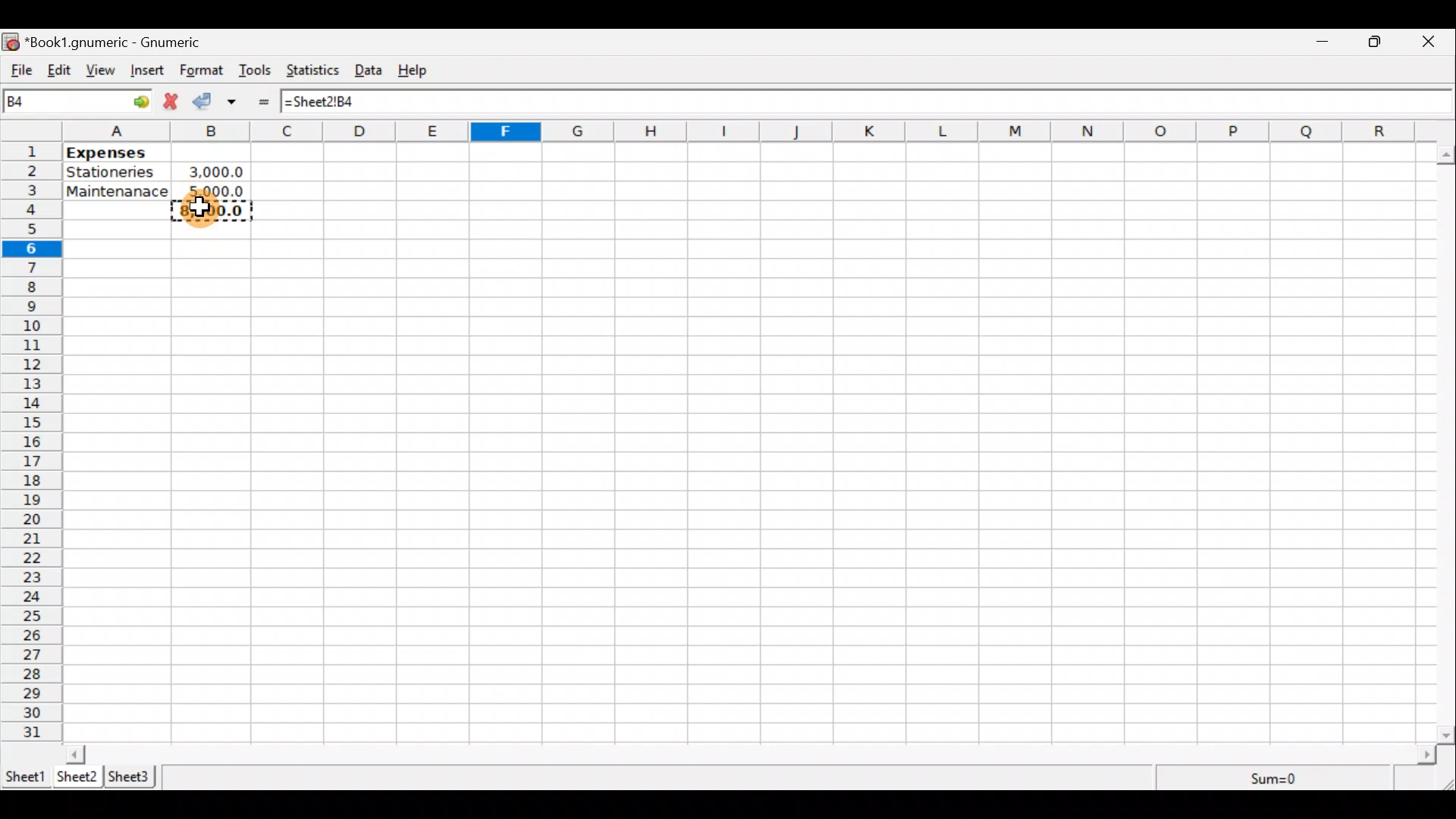 The image size is (1456, 819). What do you see at coordinates (75, 754) in the screenshot?
I see `scroll left` at bounding box center [75, 754].